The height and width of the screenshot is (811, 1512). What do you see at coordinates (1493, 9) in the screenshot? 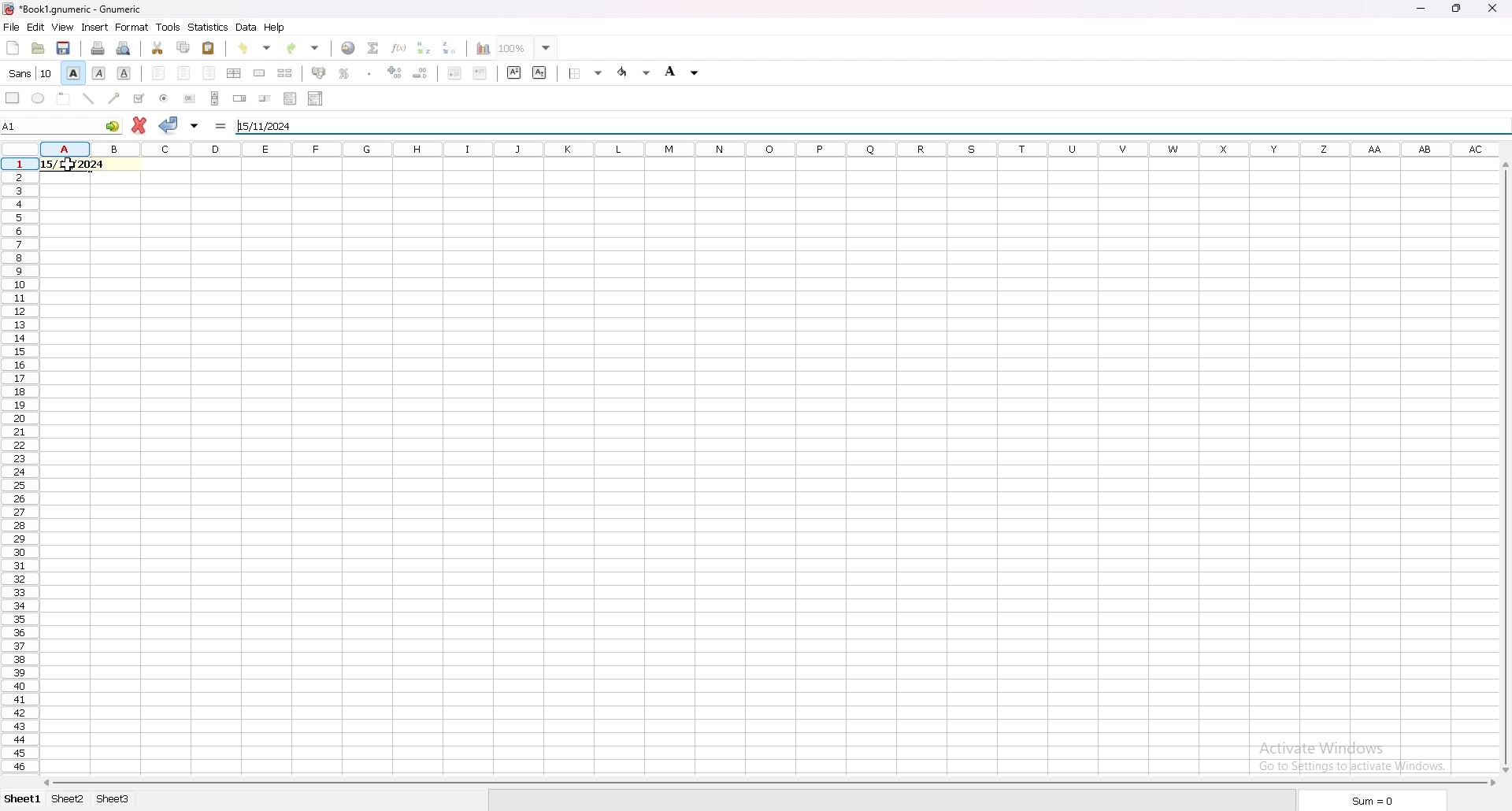
I see `close` at bounding box center [1493, 9].